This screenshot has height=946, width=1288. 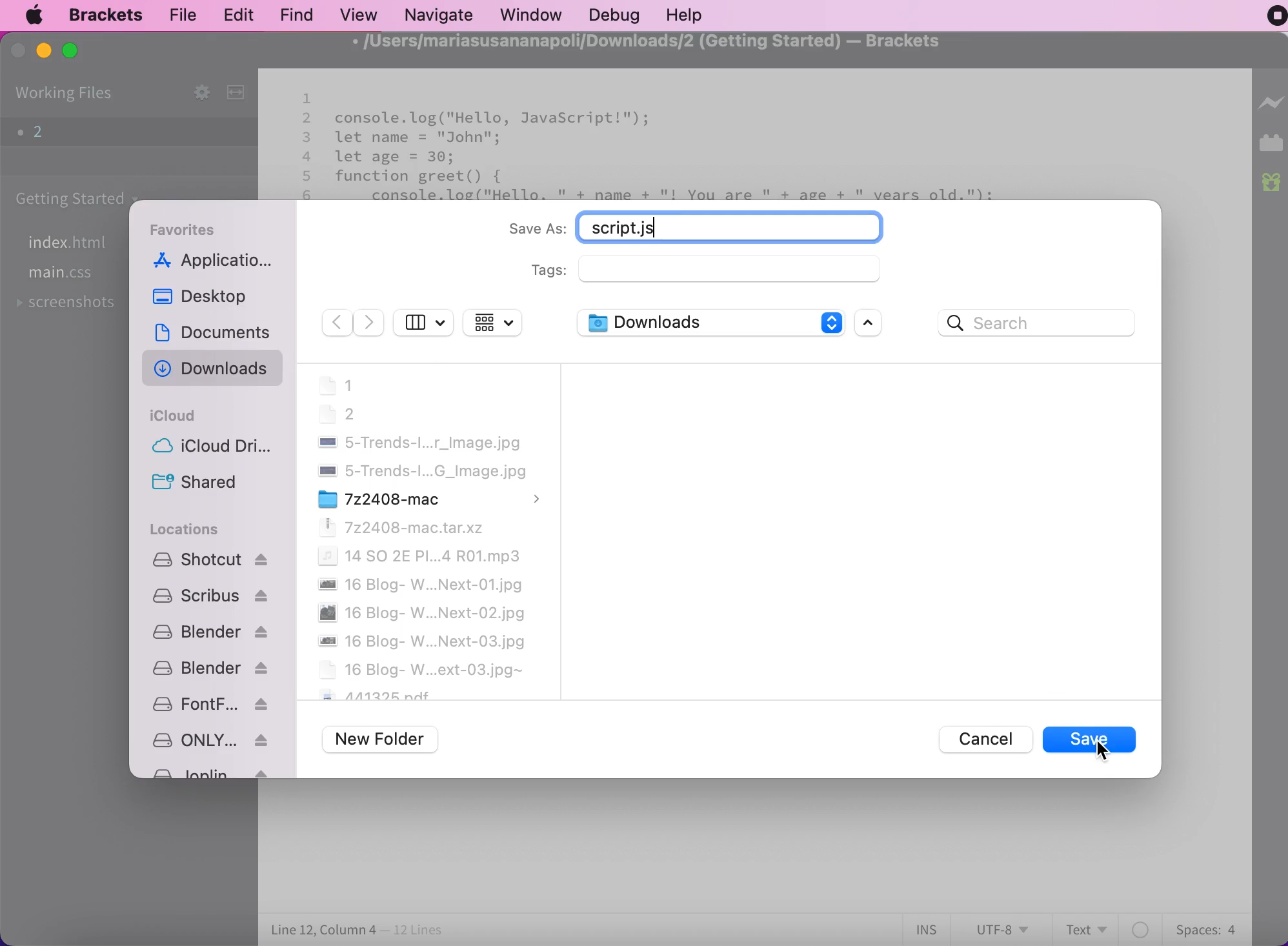 What do you see at coordinates (1272, 184) in the screenshot?
I see `new build of brackets` at bounding box center [1272, 184].